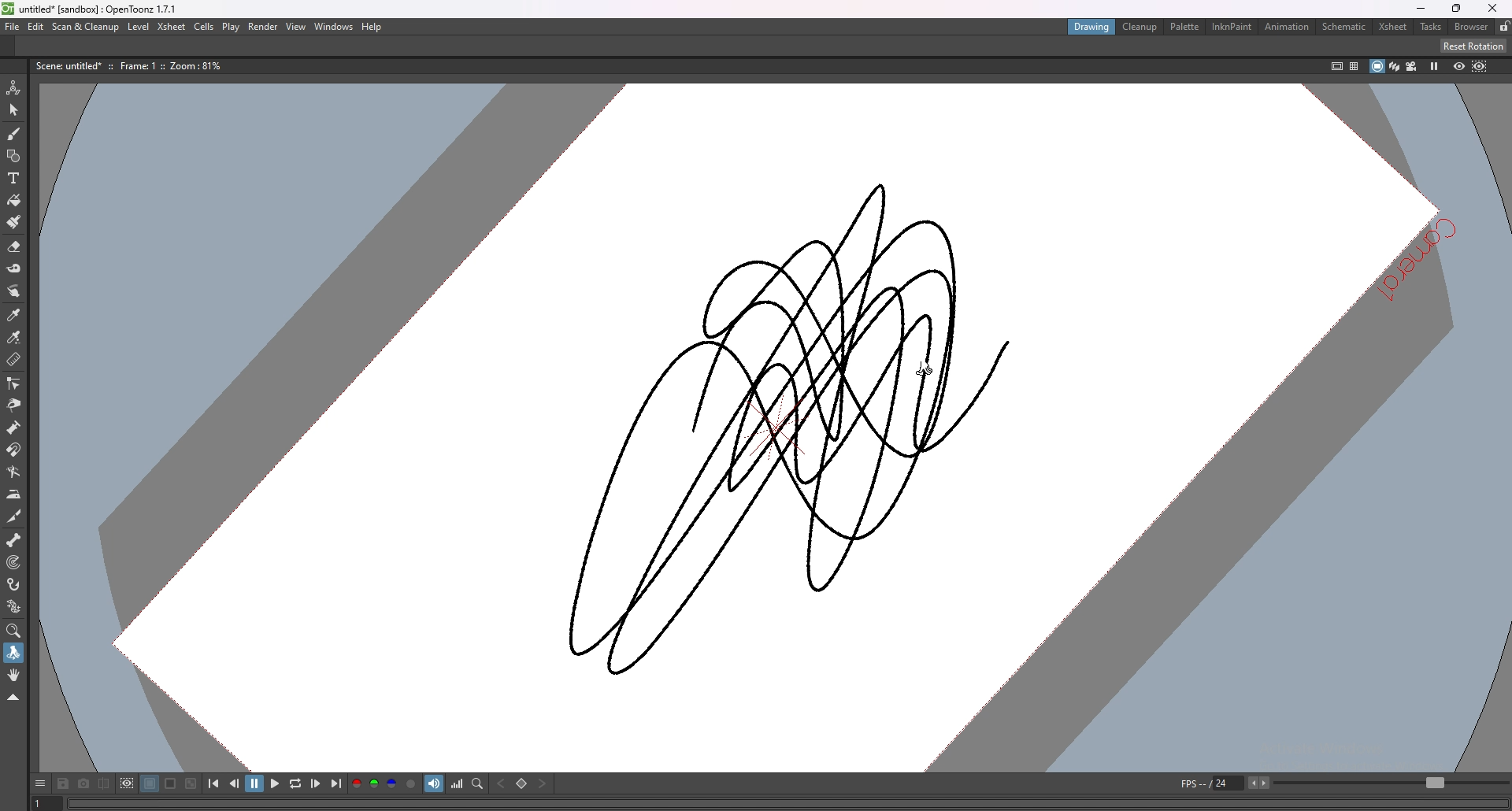 This screenshot has width=1512, height=811. I want to click on cursor, so click(929, 369).